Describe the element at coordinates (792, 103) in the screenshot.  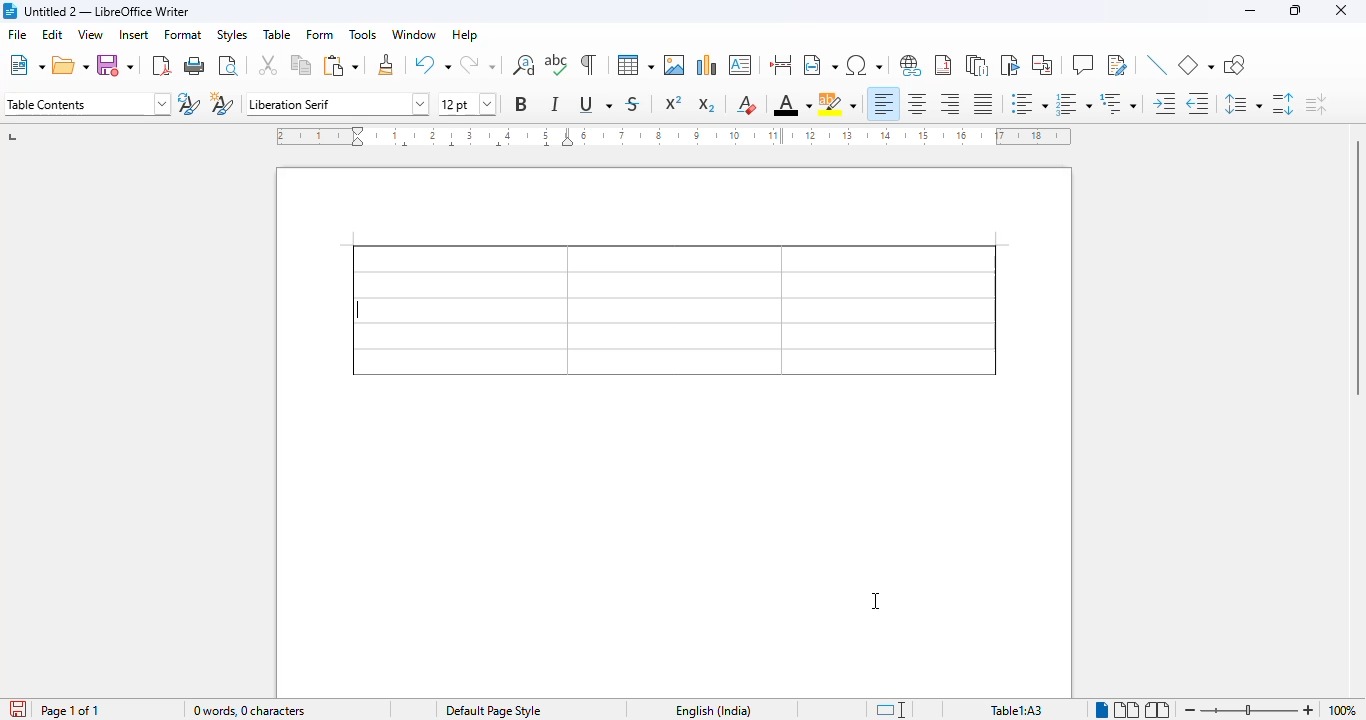
I see `font color` at that location.